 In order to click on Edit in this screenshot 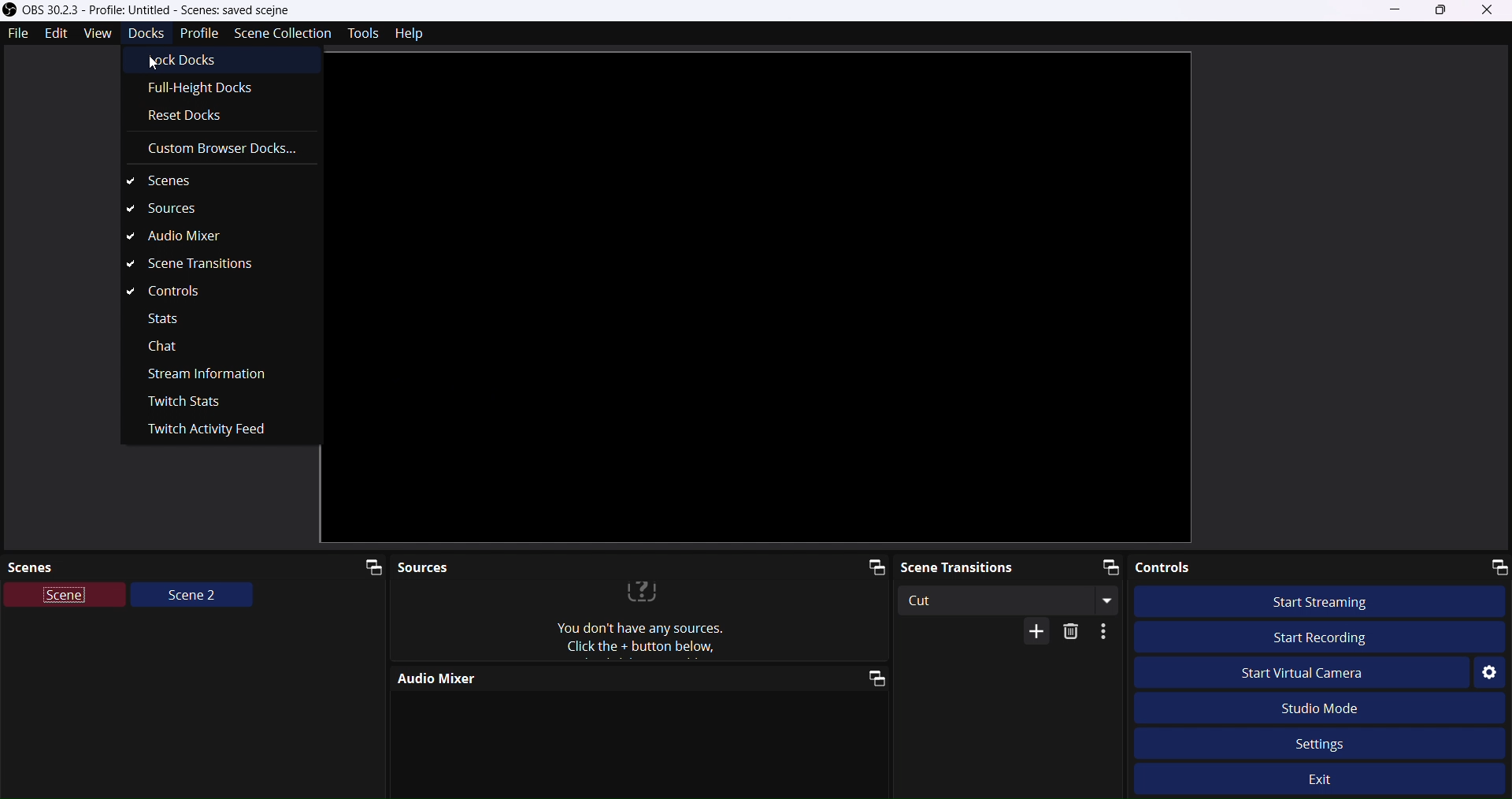, I will do `click(57, 35)`.